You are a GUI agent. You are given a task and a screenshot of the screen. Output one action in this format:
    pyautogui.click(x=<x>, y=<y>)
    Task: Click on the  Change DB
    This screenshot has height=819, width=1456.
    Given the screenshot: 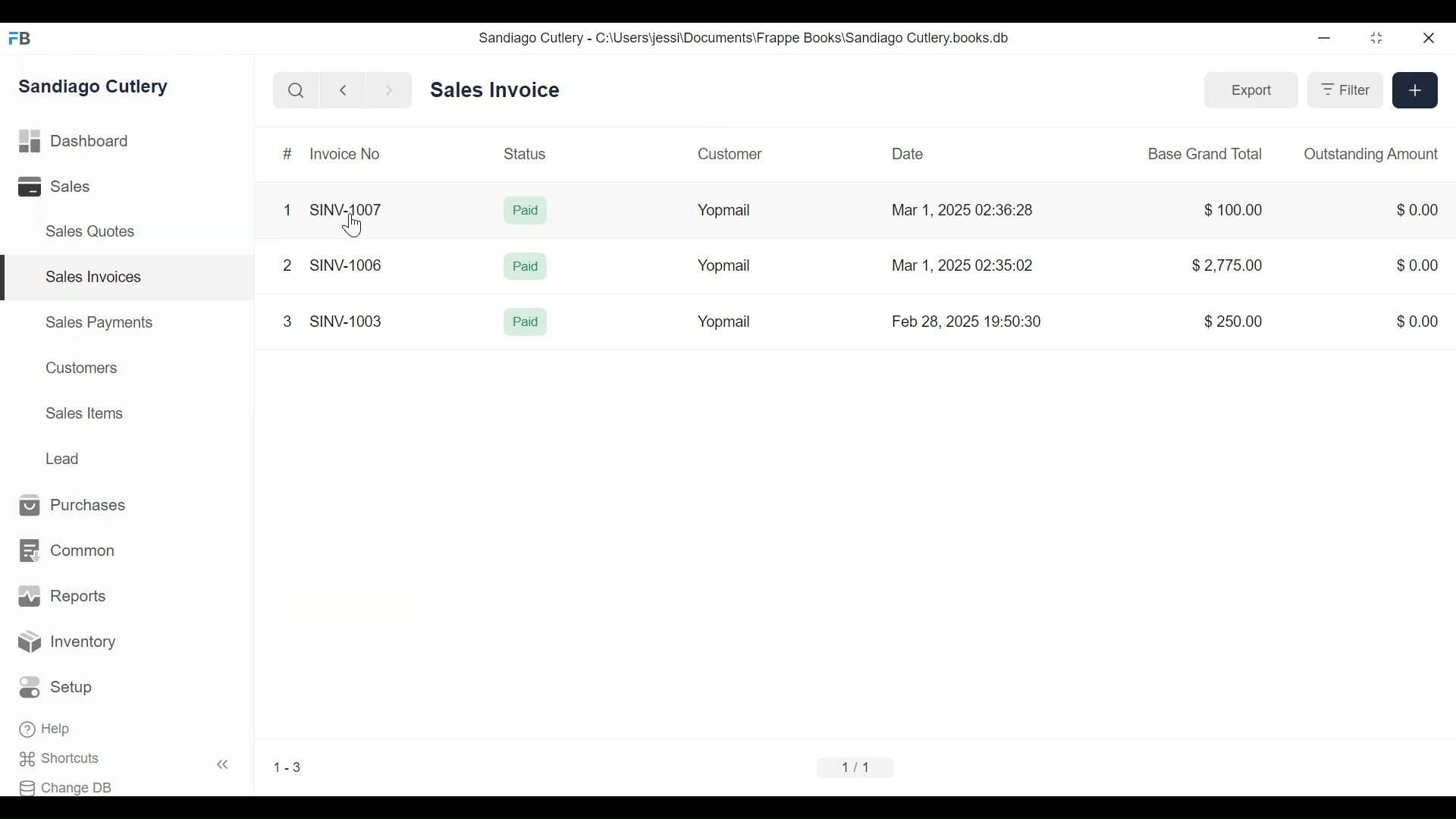 What is the action you would take?
    pyautogui.click(x=67, y=787)
    